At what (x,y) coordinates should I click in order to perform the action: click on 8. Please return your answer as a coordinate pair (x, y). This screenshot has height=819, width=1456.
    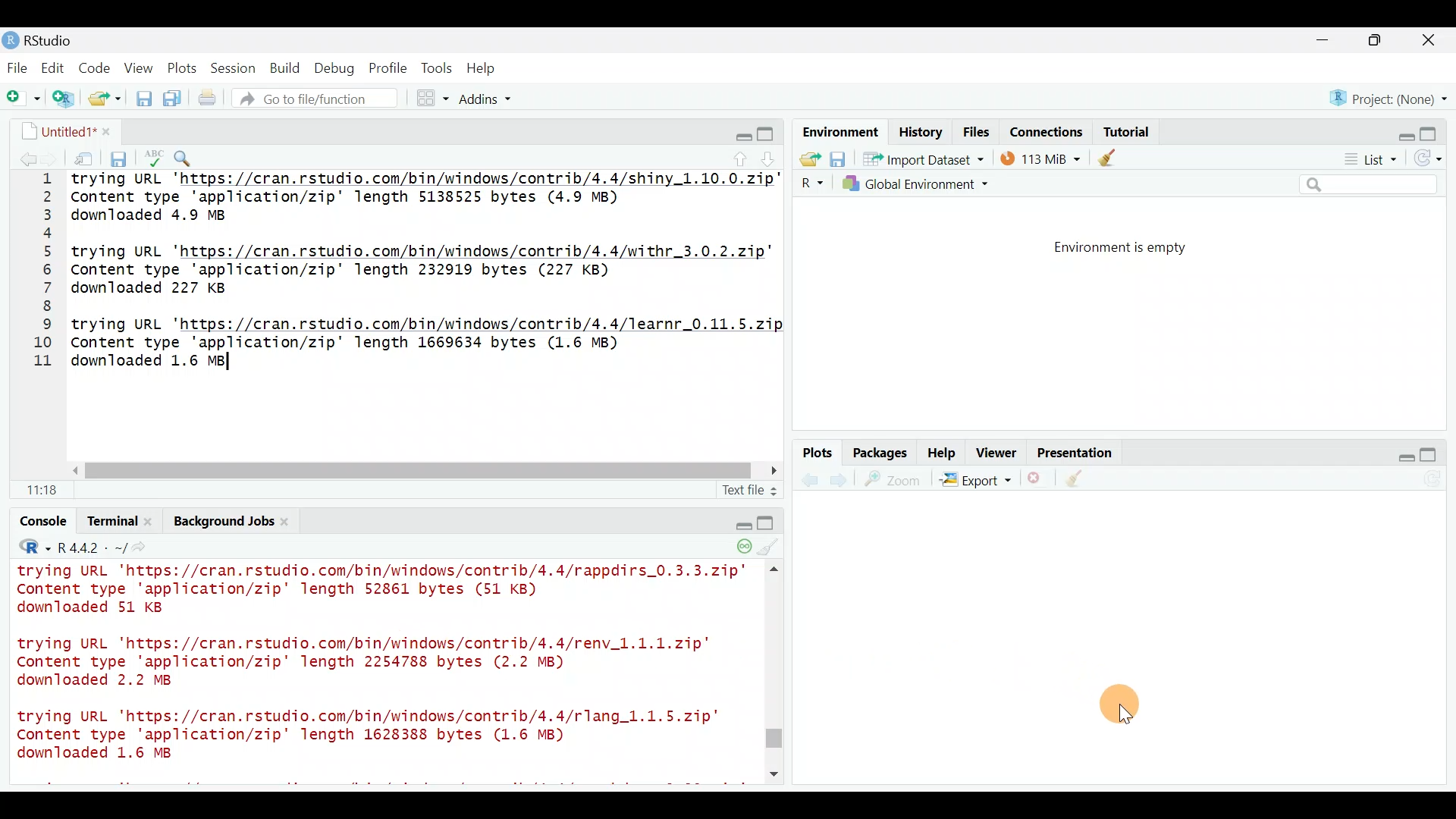
    Looking at the image, I should click on (49, 305).